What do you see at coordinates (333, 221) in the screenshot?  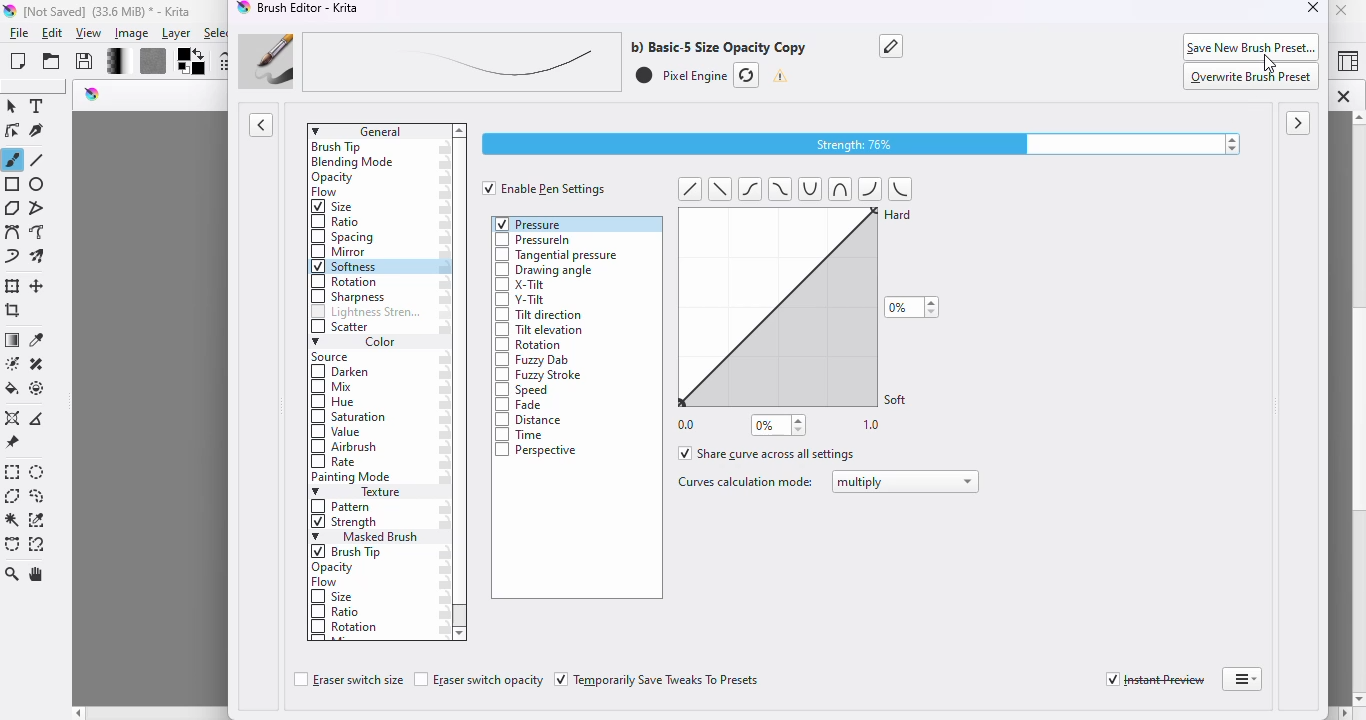 I see `ratio` at bounding box center [333, 221].